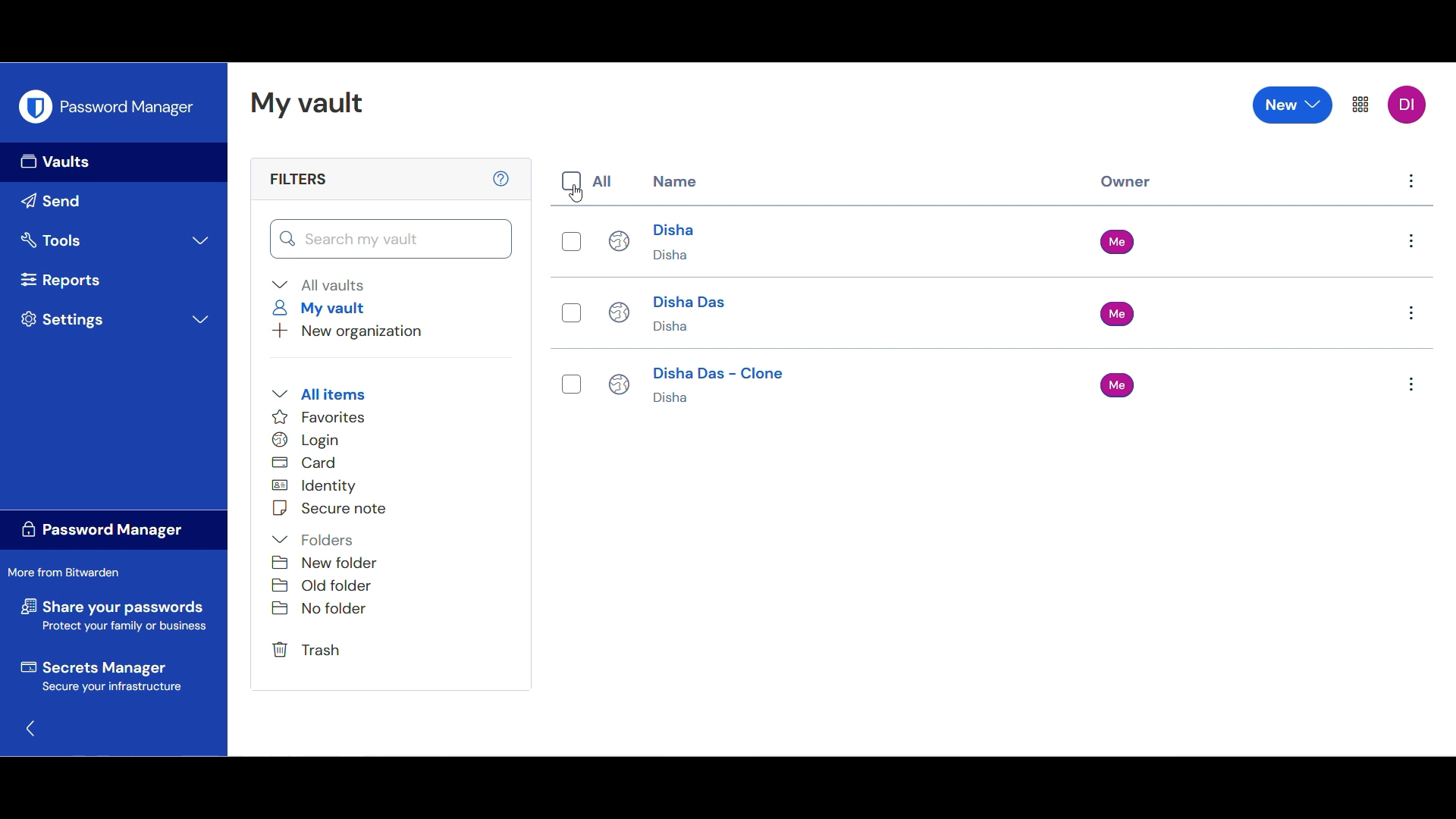  Describe the element at coordinates (100, 679) in the screenshot. I see `Secrets Manager      Secure your infrastucture` at that location.